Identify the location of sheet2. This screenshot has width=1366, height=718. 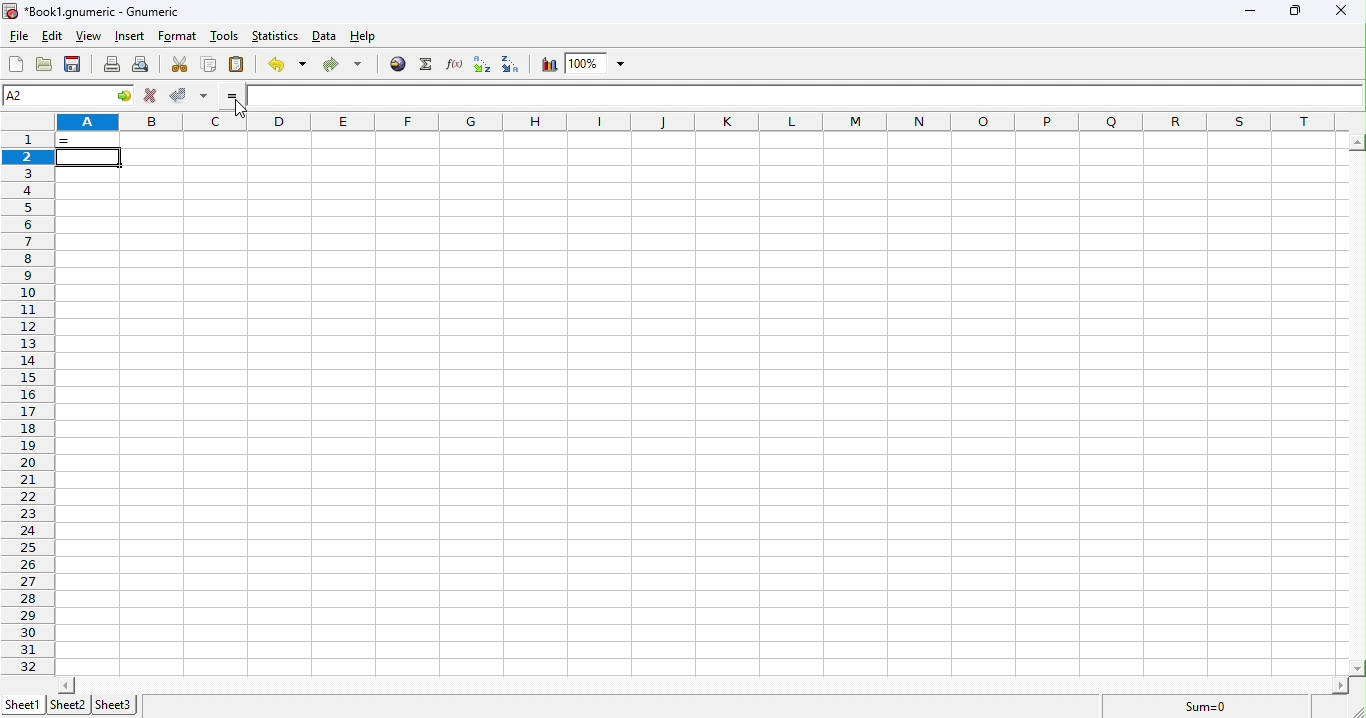
(68, 704).